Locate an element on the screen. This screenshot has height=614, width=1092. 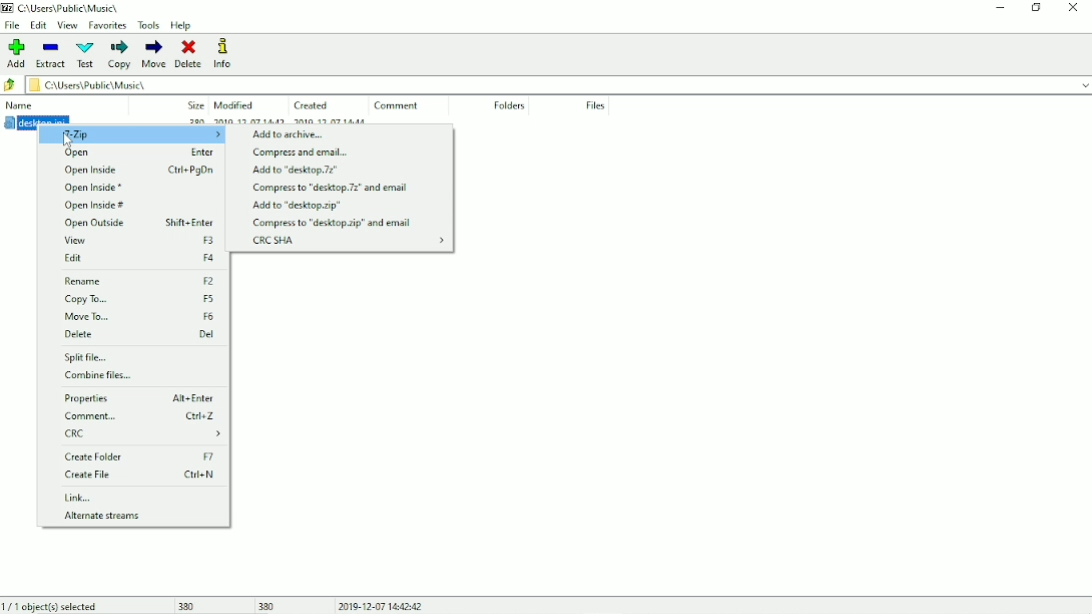
Delete is located at coordinates (140, 334).